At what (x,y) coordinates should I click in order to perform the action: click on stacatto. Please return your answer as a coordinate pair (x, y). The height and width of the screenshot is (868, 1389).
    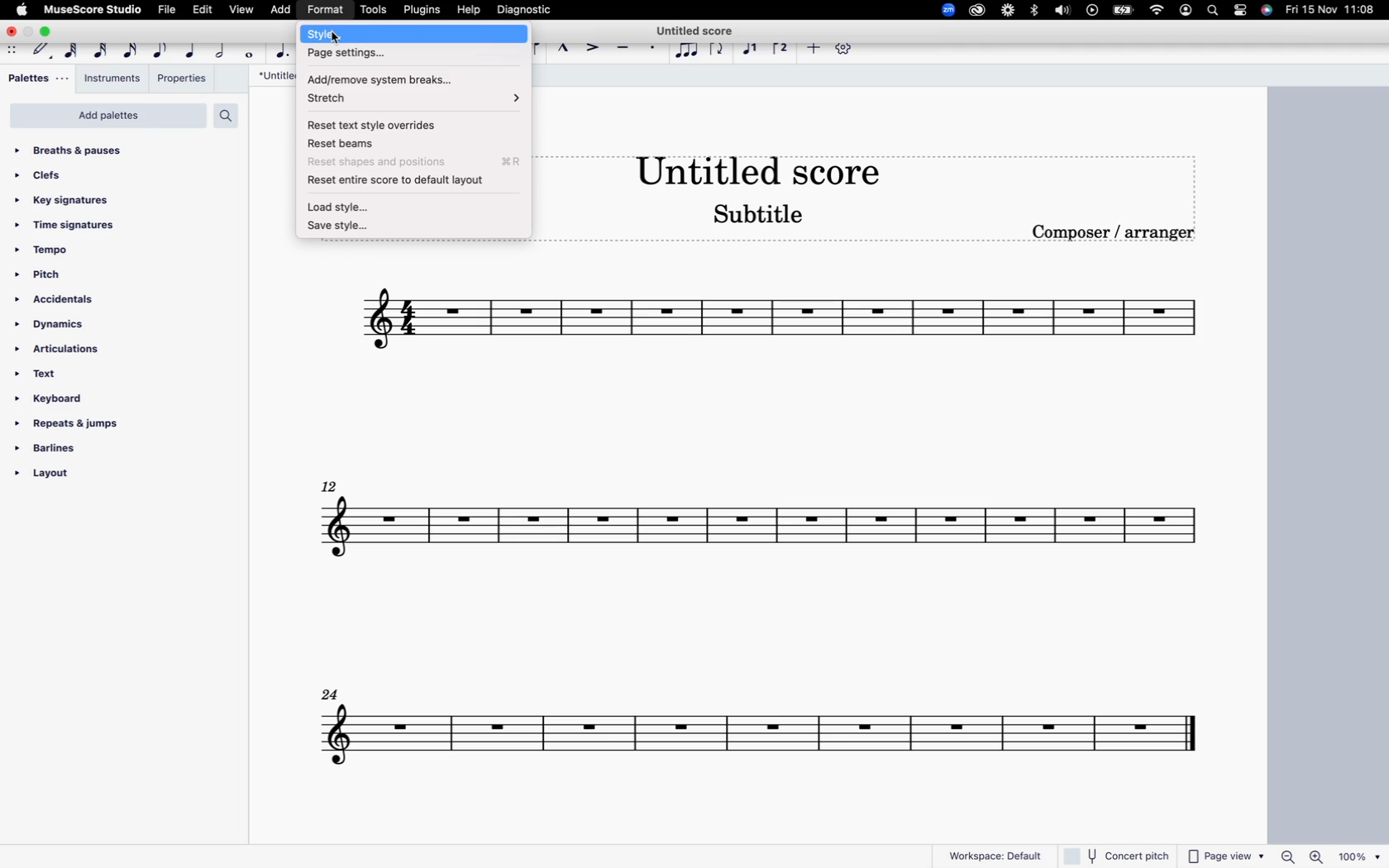
    Looking at the image, I should click on (652, 50).